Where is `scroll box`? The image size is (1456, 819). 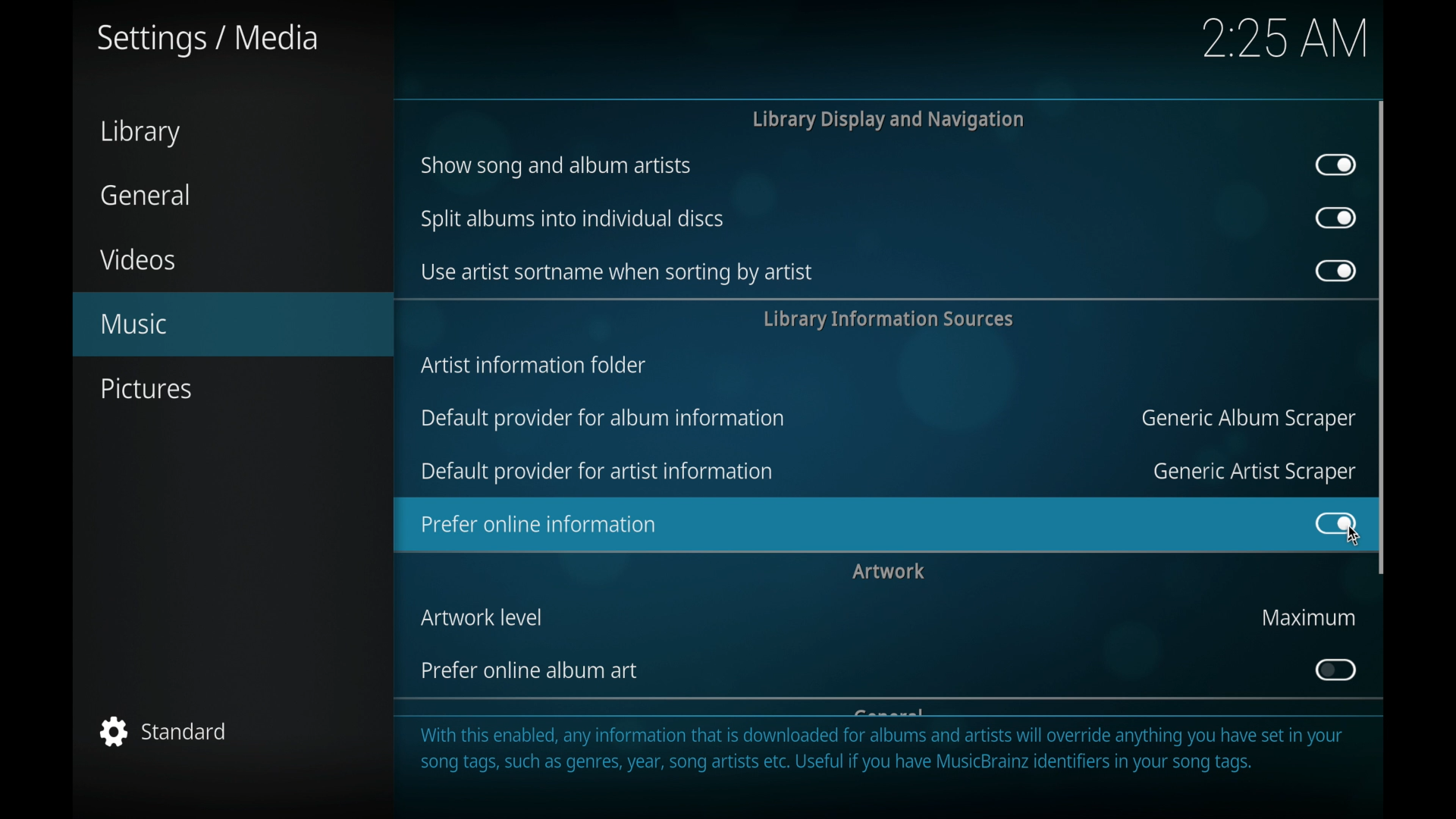 scroll box is located at coordinates (1383, 337).